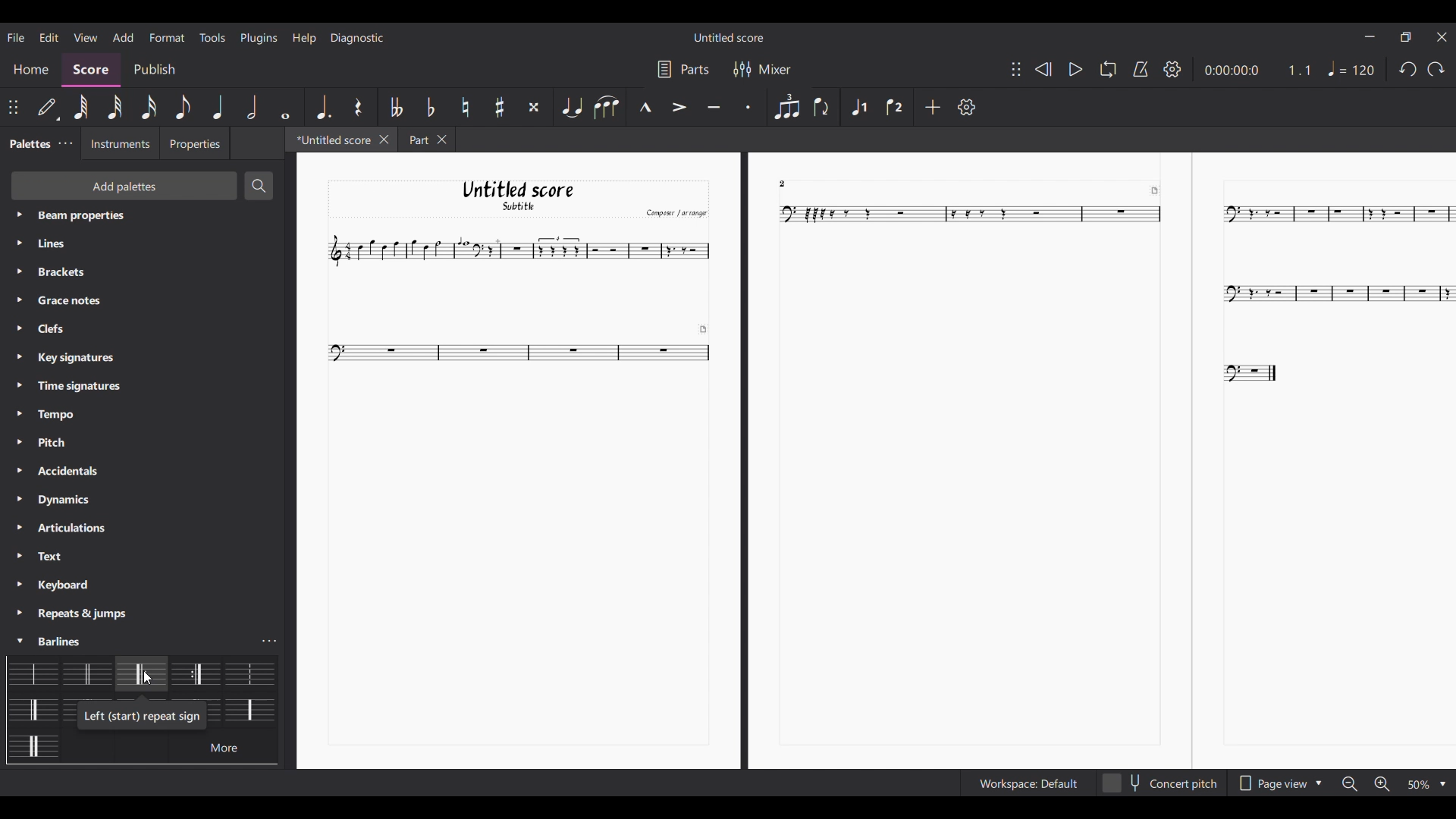  I want to click on Palette settings, so click(68, 330).